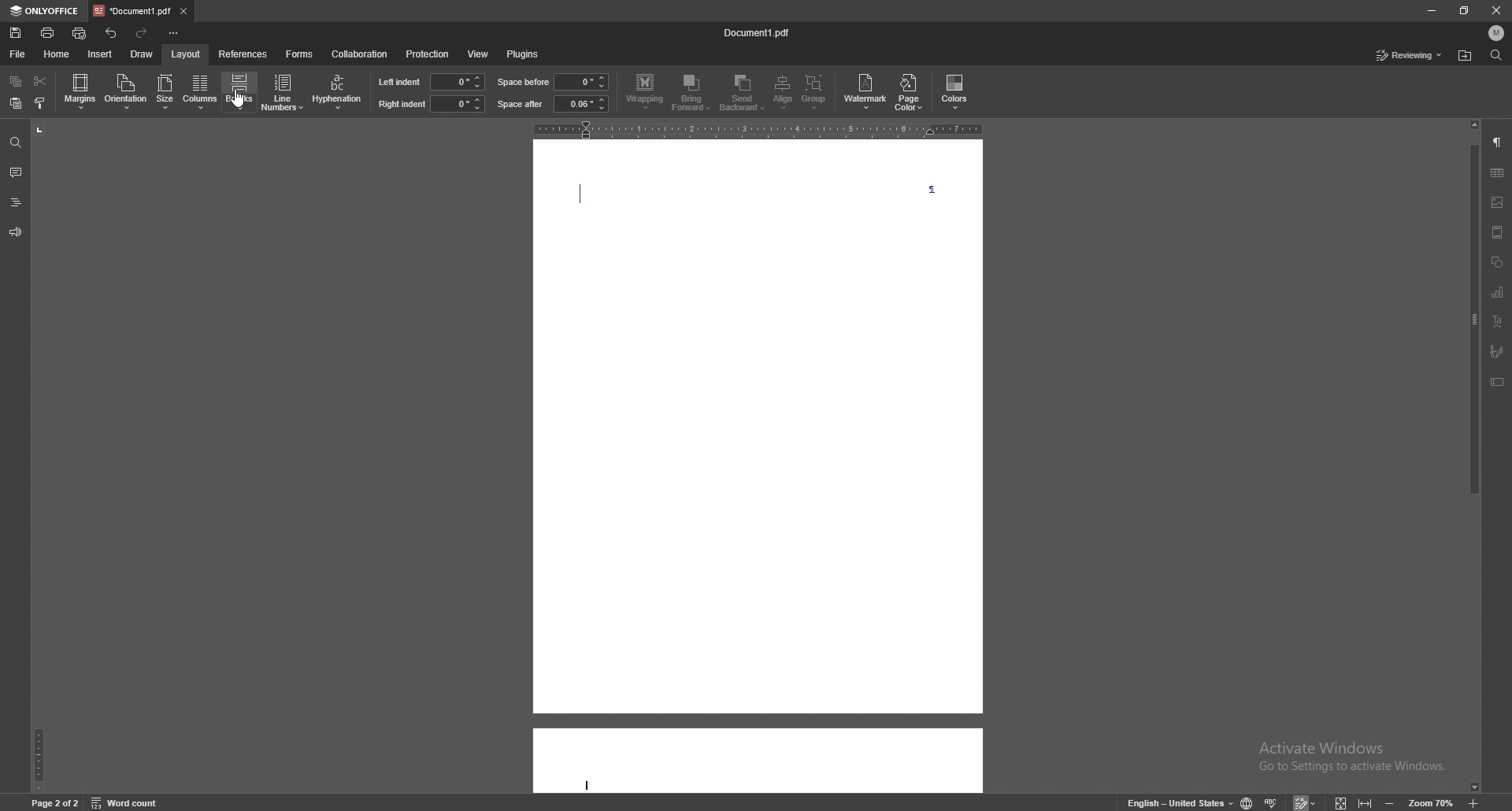 The width and height of the screenshot is (1512, 811). I want to click on space before, so click(524, 82).